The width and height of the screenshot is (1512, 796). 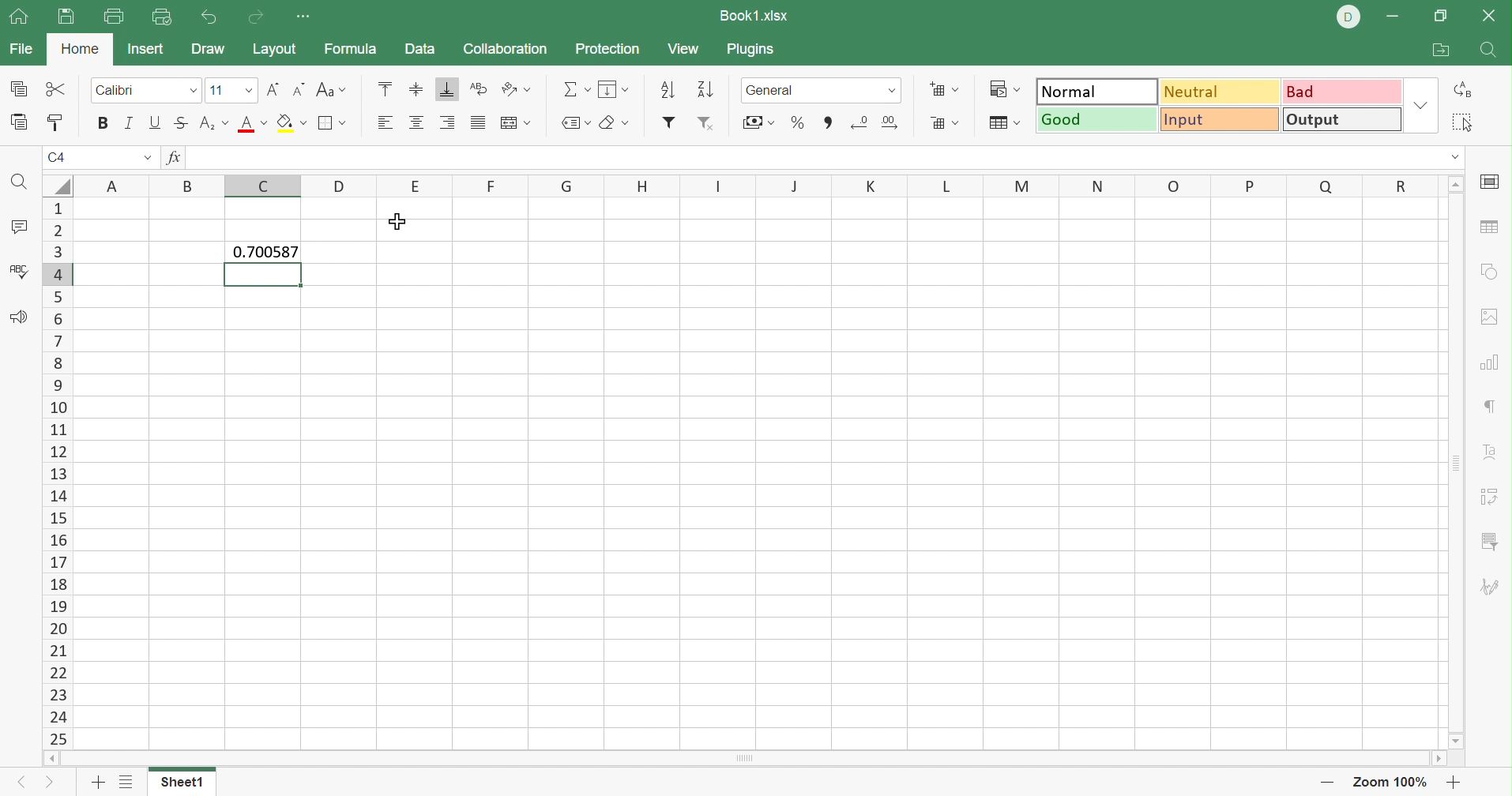 I want to click on Output, so click(x=1341, y=118).